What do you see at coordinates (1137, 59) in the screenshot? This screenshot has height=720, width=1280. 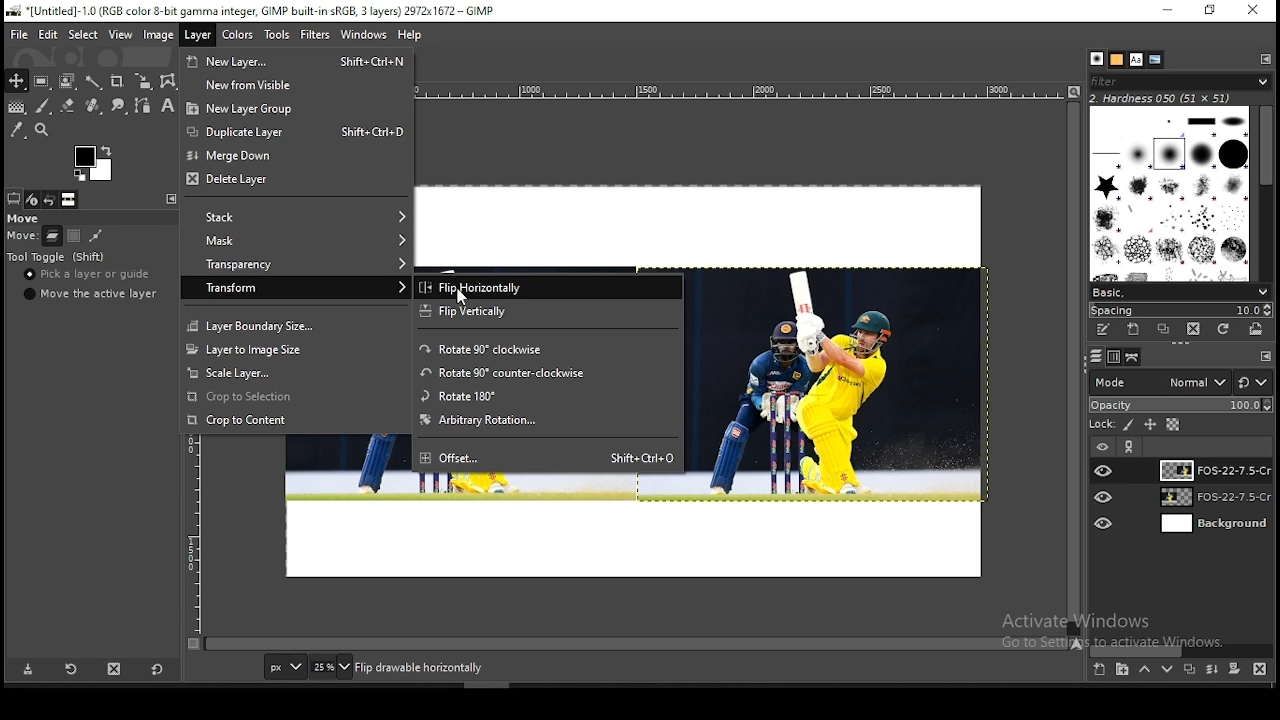 I see `fonts` at bounding box center [1137, 59].